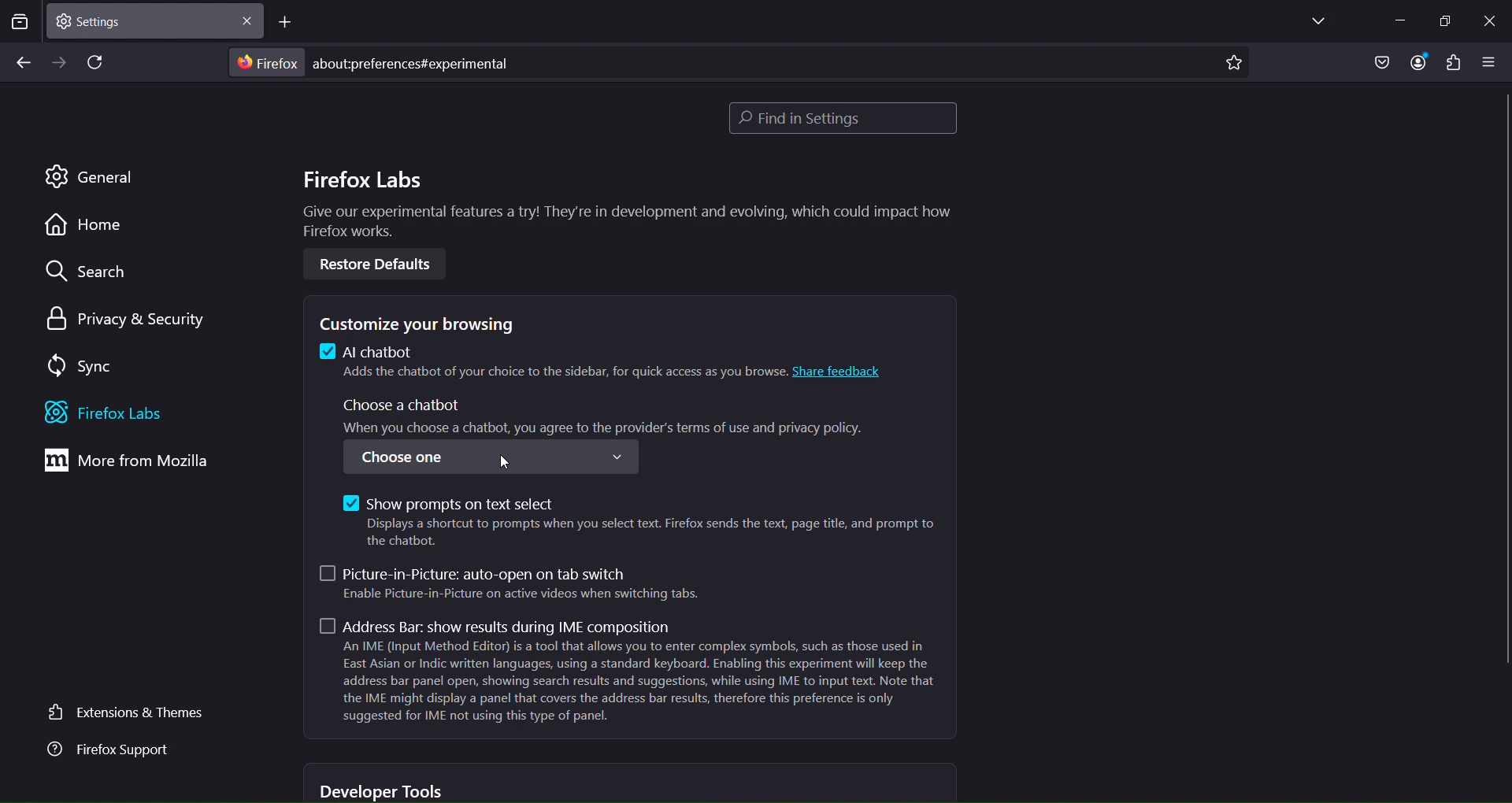  Describe the element at coordinates (417, 63) in the screenshot. I see `about:preferences#experimental` at that location.